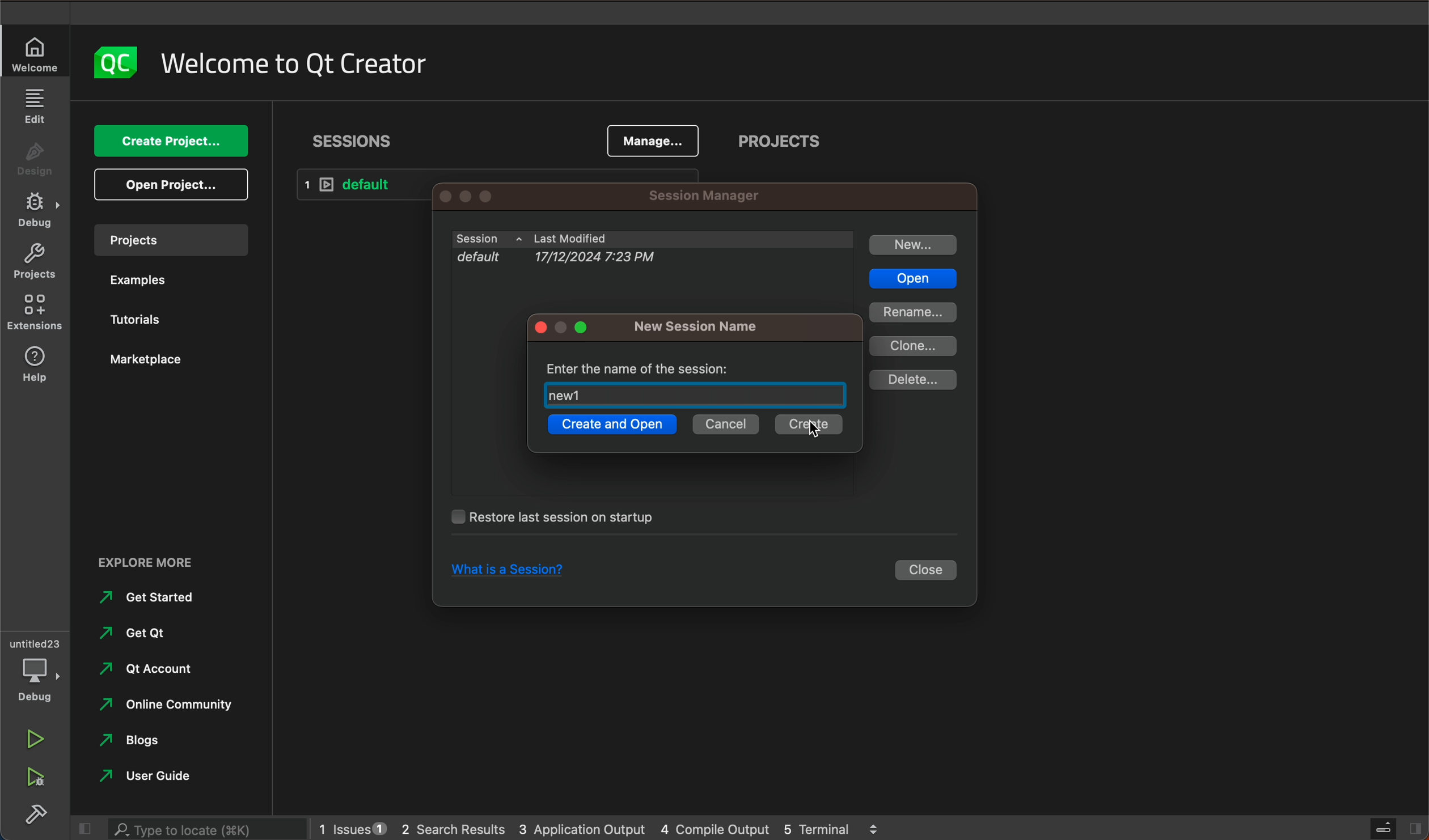 The height and width of the screenshot is (840, 1429). I want to click on debug, so click(38, 211).